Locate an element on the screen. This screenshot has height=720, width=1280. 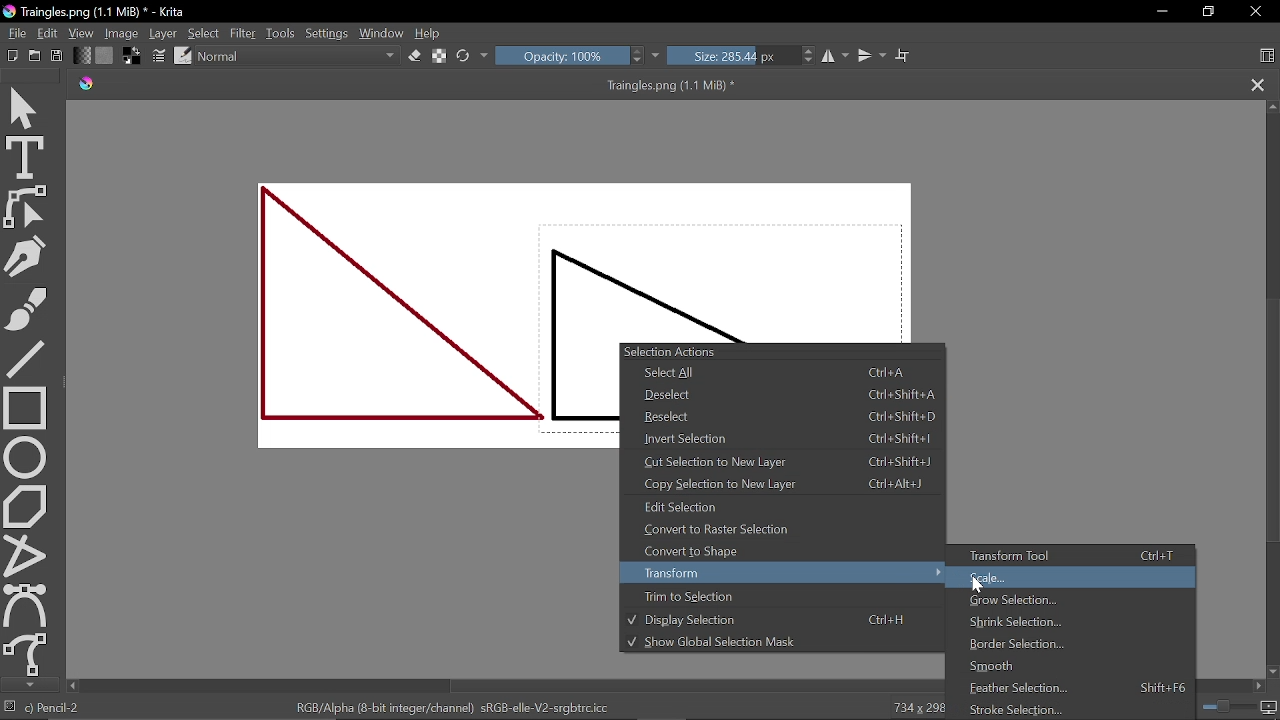
Shrink selection is located at coordinates (1061, 623).